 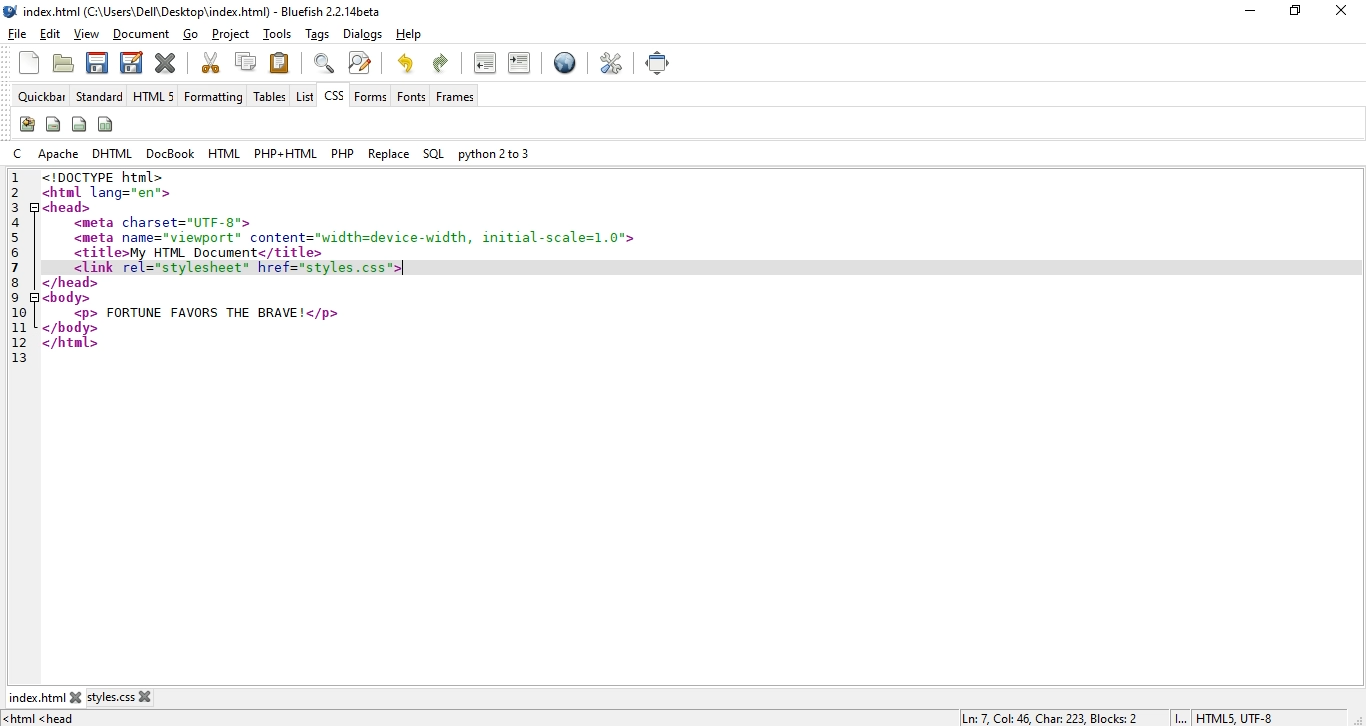 What do you see at coordinates (44, 719) in the screenshot?
I see `<html <head` at bounding box center [44, 719].